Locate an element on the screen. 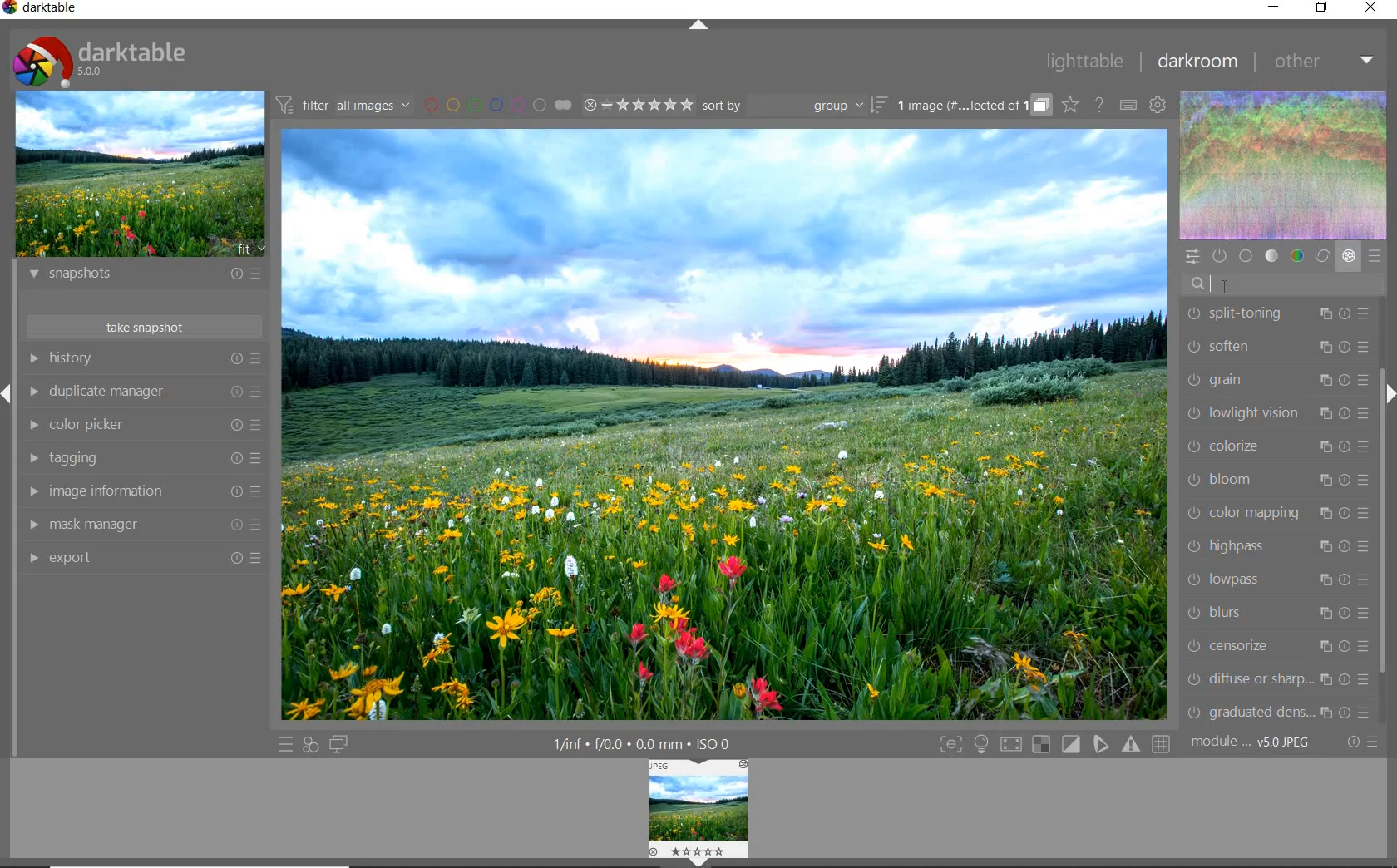 The width and height of the screenshot is (1397, 868). lowlight vision is located at coordinates (1278, 412).